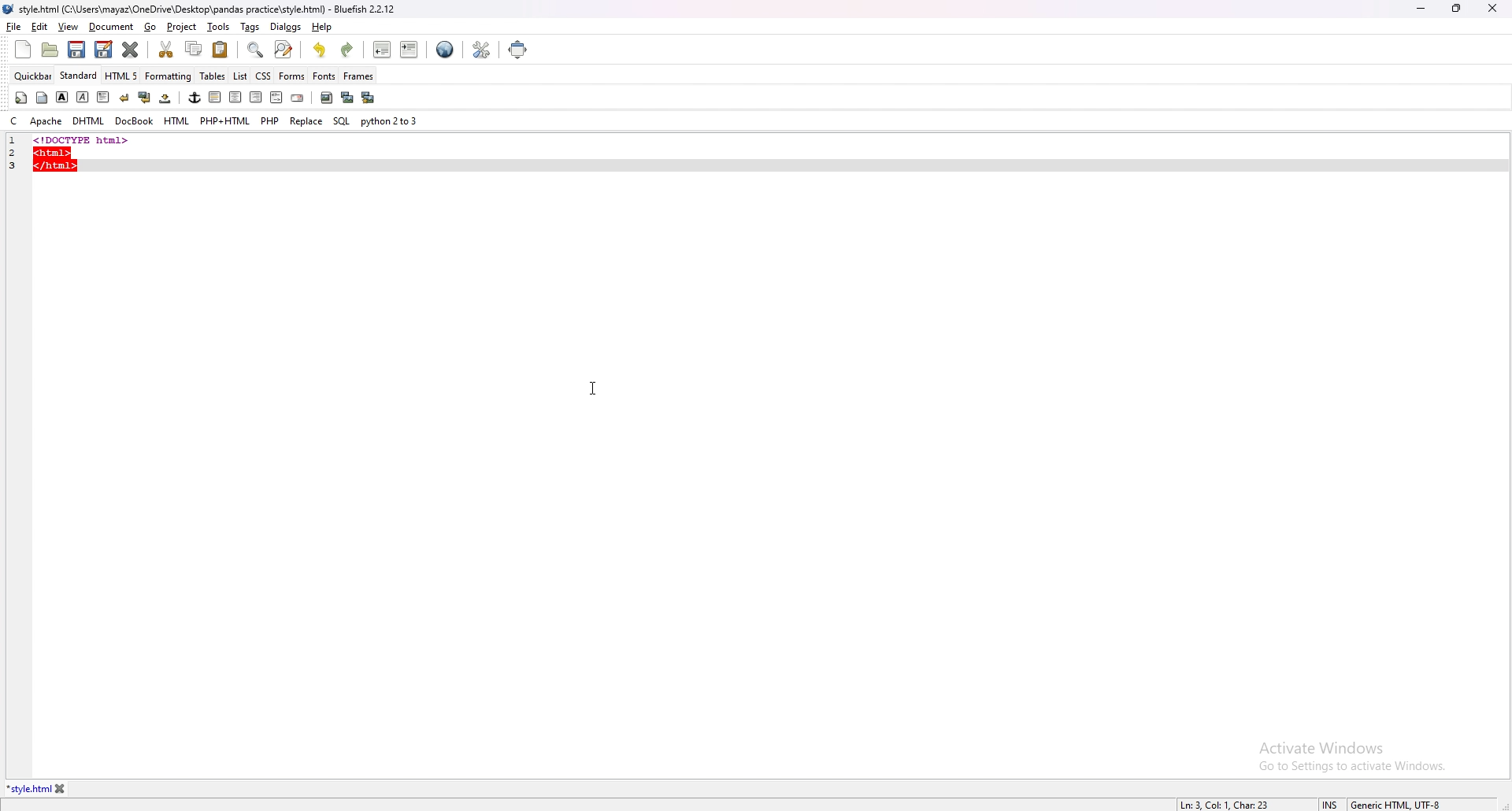 Image resolution: width=1512 pixels, height=811 pixels. What do you see at coordinates (306, 120) in the screenshot?
I see `replace` at bounding box center [306, 120].